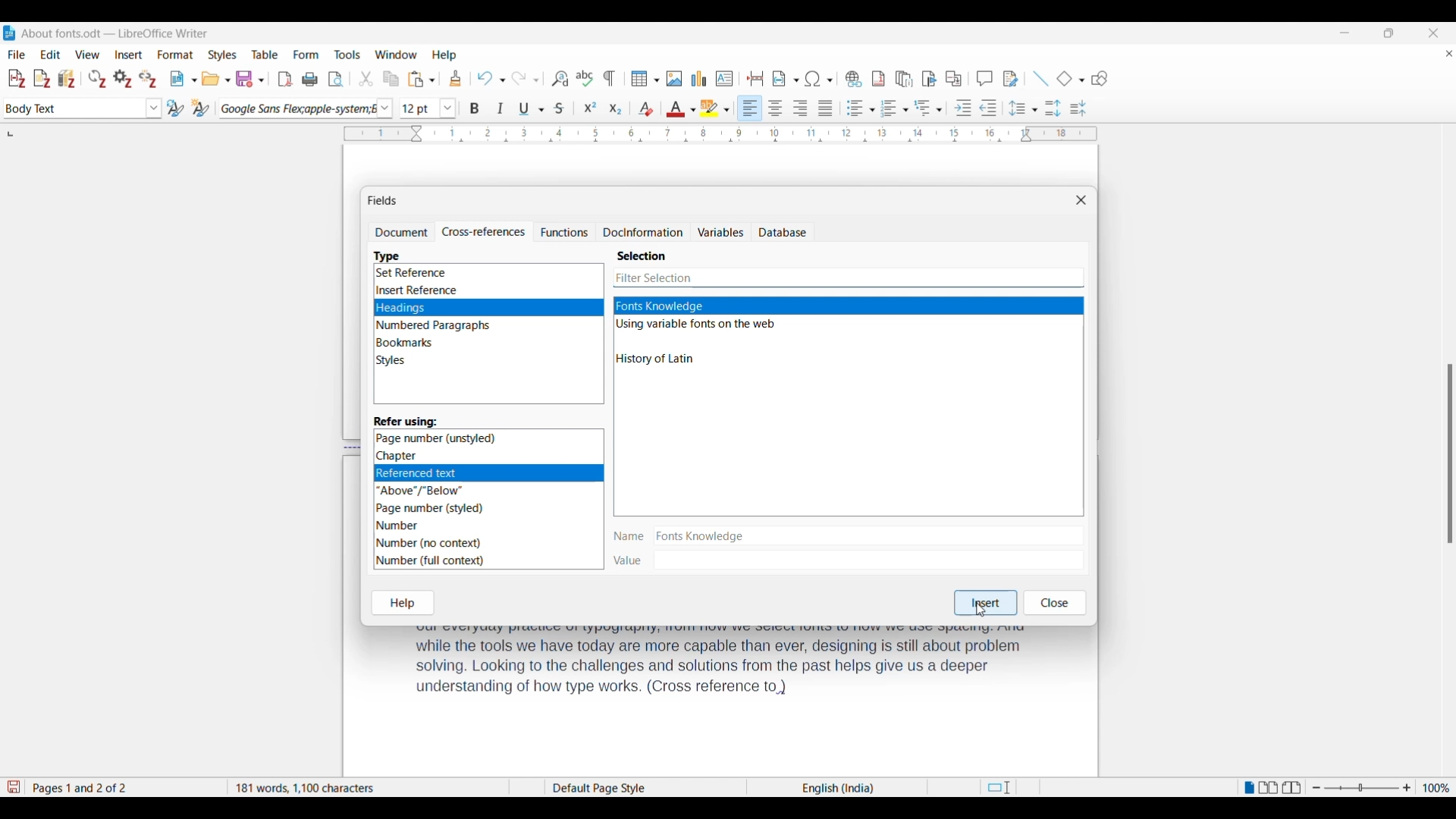  What do you see at coordinates (700, 78) in the screenshot?
I see `Insert graph` at bounding box center [700, 78].